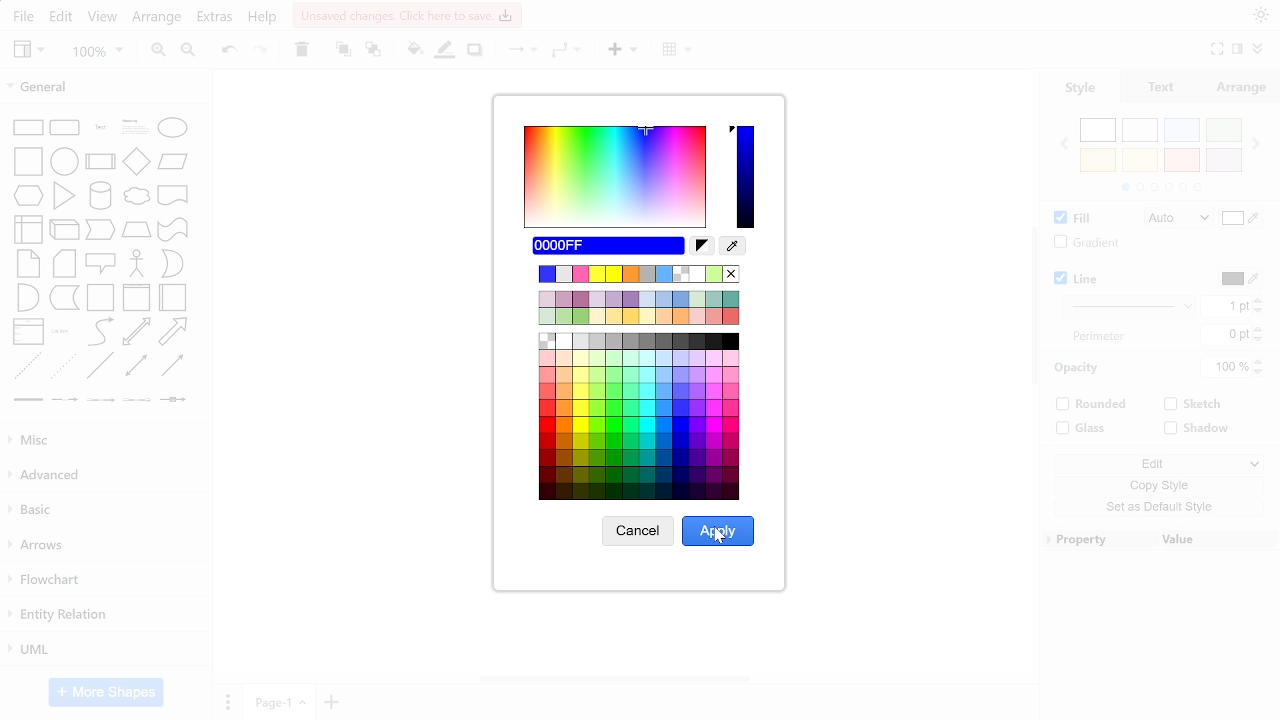  I want to click on edit, so click(62, 17).